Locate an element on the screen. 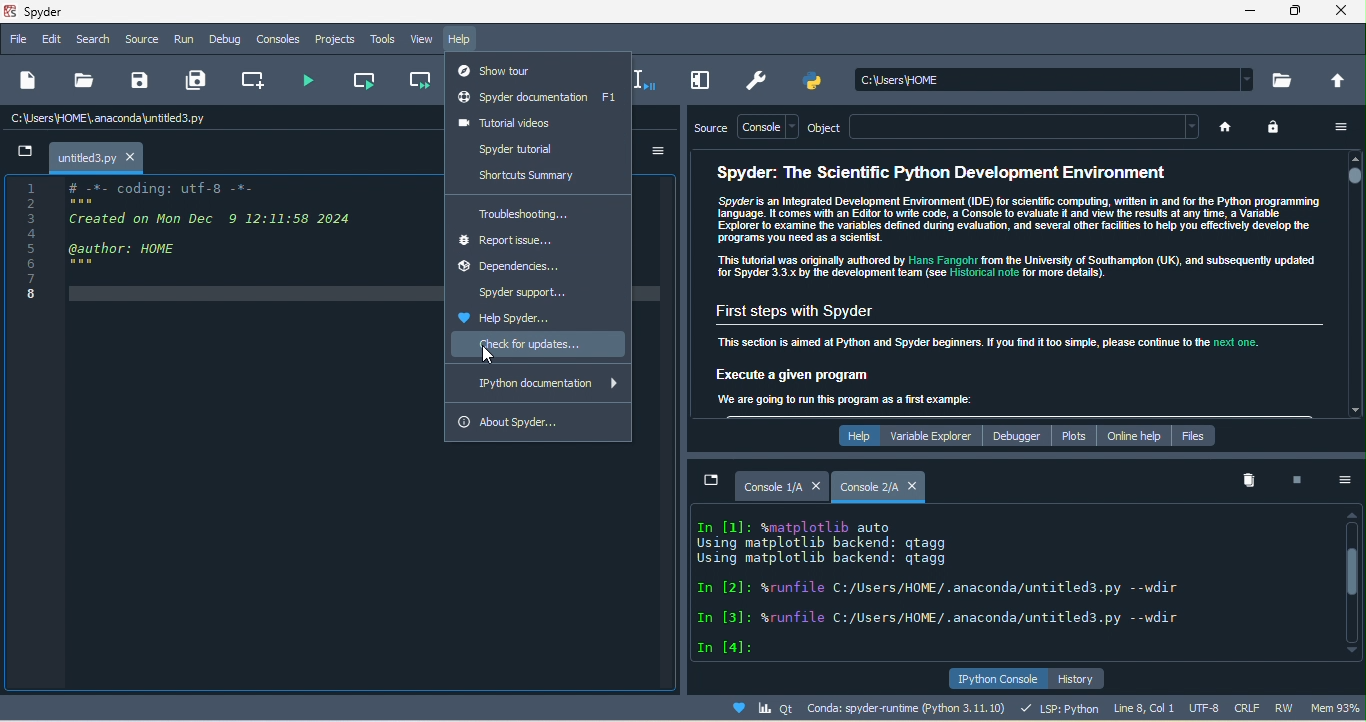 The width and height of the screenshot is (1366, 722). history is located at coordinates (1089, 677).